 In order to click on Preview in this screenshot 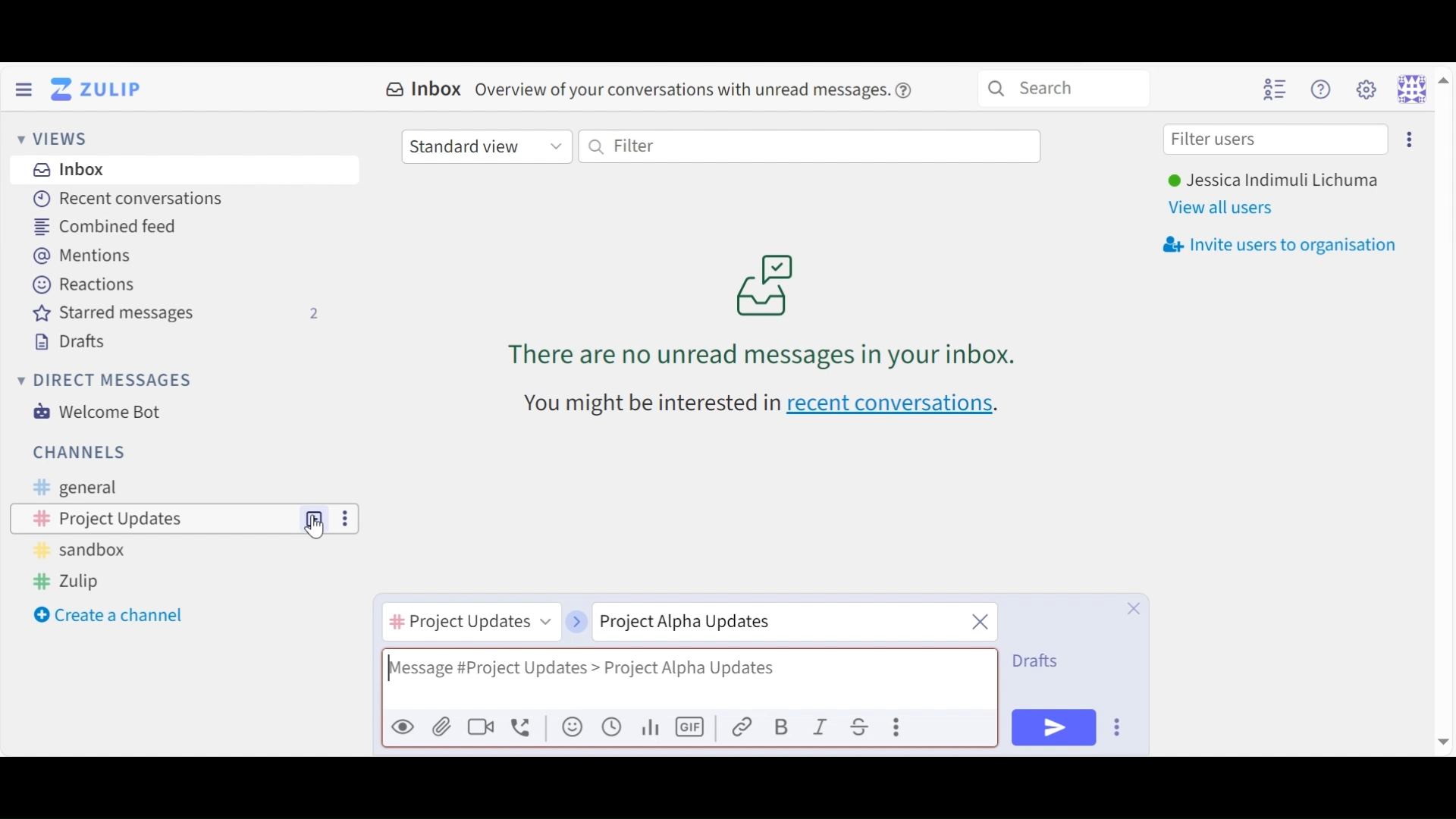, I will do `click(402, 726)`.